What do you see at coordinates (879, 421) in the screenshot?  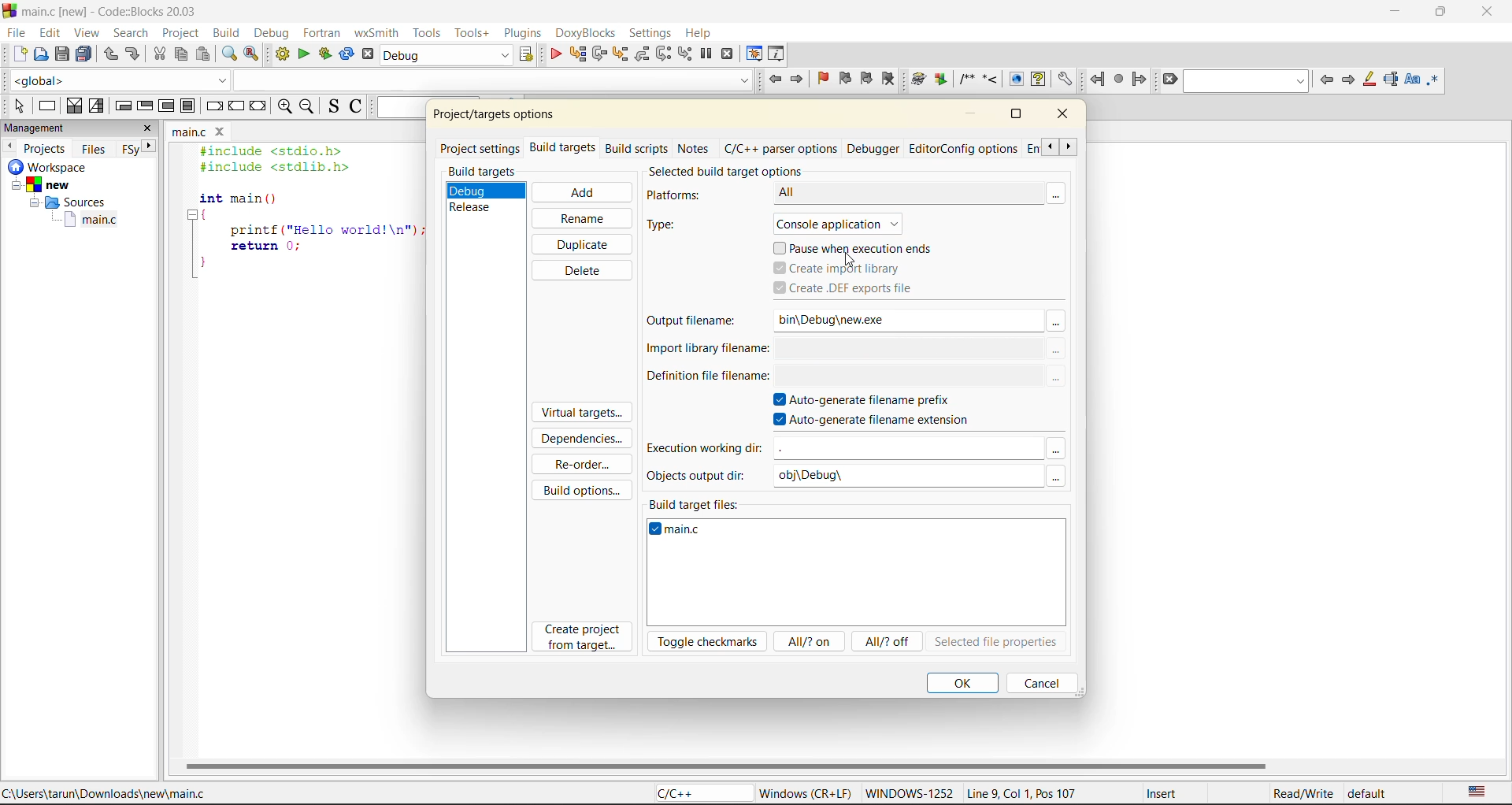 I see `autogenerate filename extension` at bounding box center [879, 421].